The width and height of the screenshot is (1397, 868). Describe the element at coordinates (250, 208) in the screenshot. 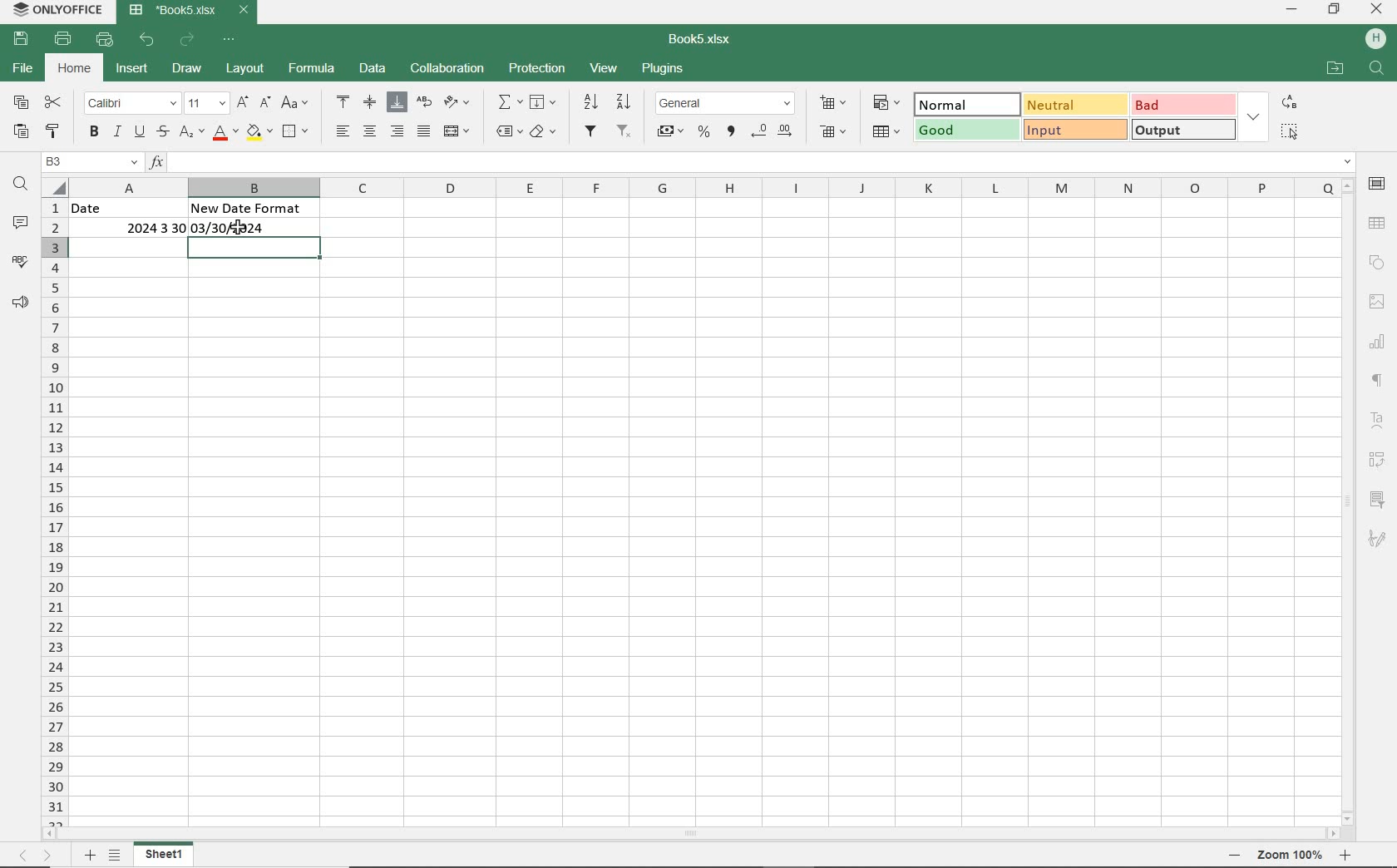

I see `New Date Format` at that location.